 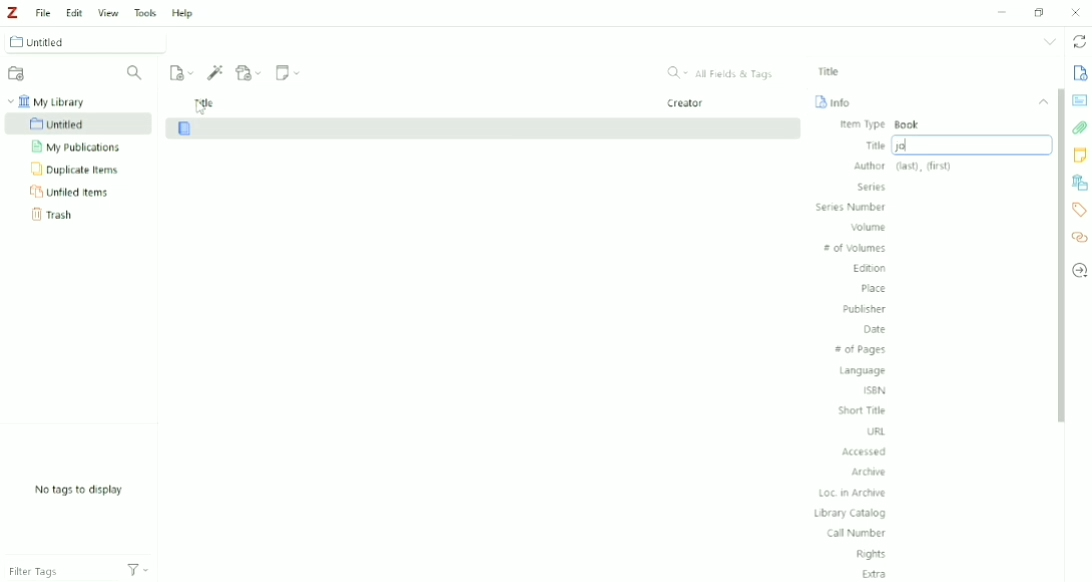 I want to click on Actions, so click(x=145, y=569).